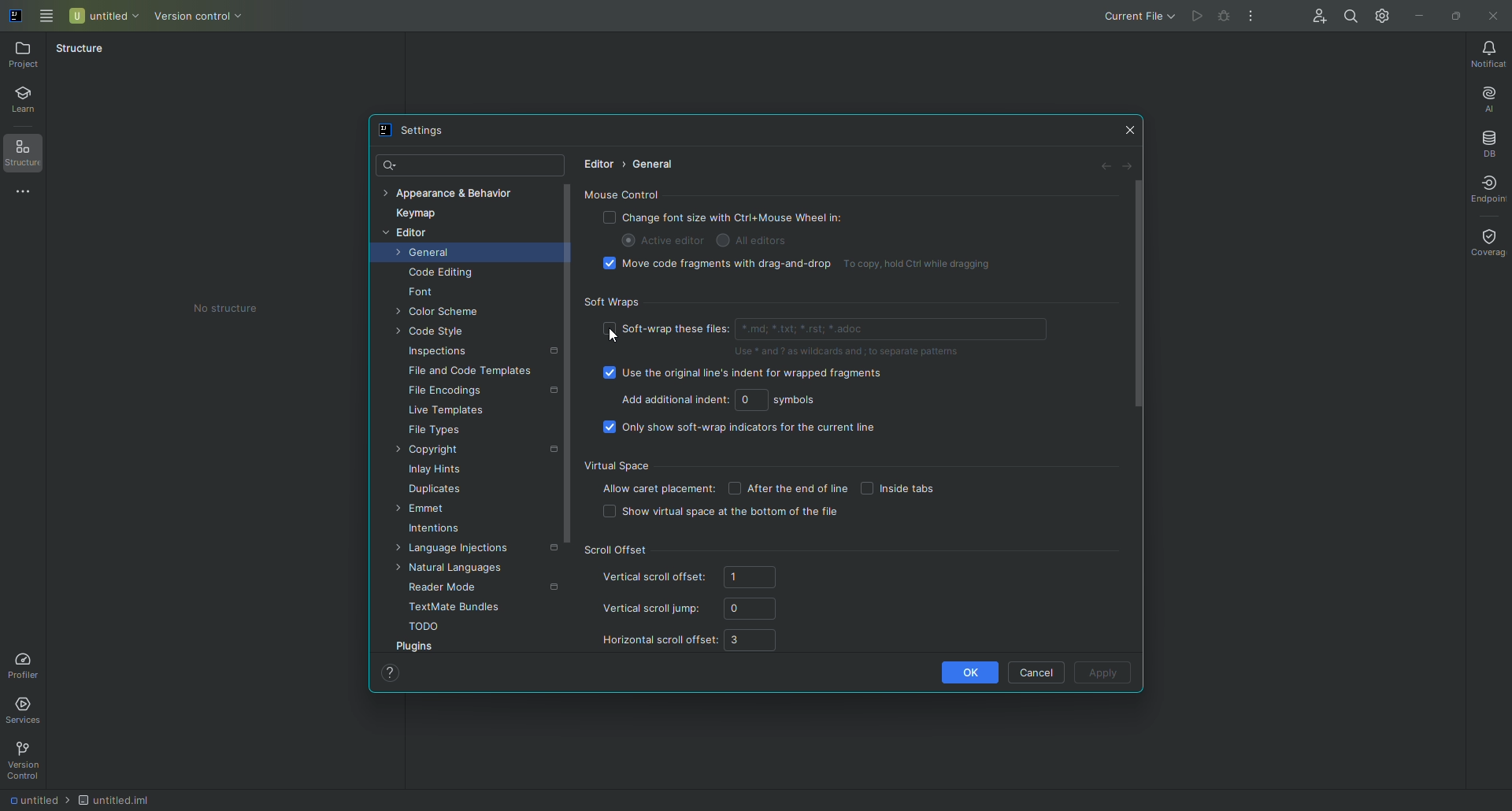 This screenshot has width=1512, height=811. I want to click on File and Code Templates, so click(471, 372).